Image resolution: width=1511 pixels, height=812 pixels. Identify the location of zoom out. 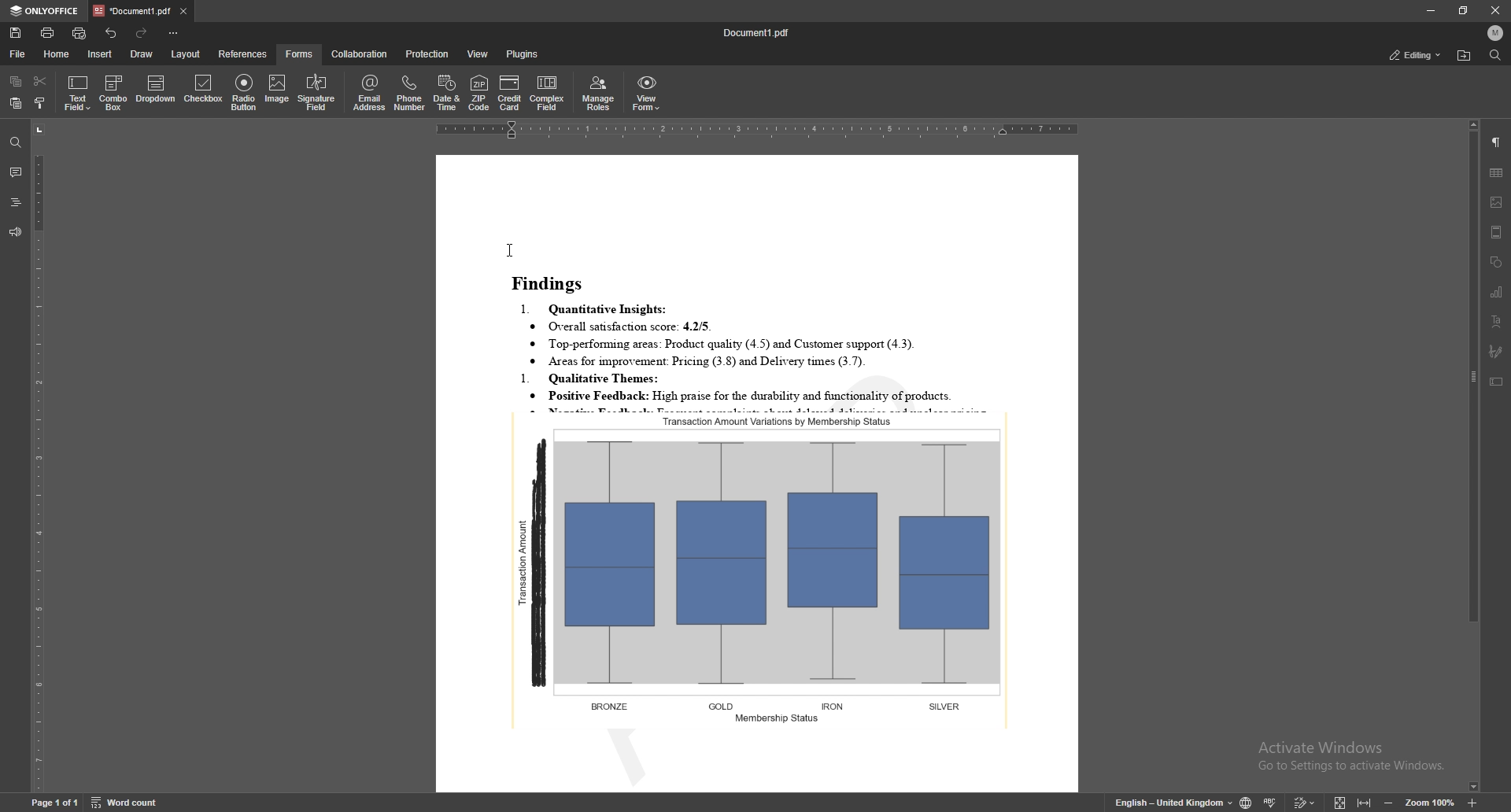
(1392, 803).